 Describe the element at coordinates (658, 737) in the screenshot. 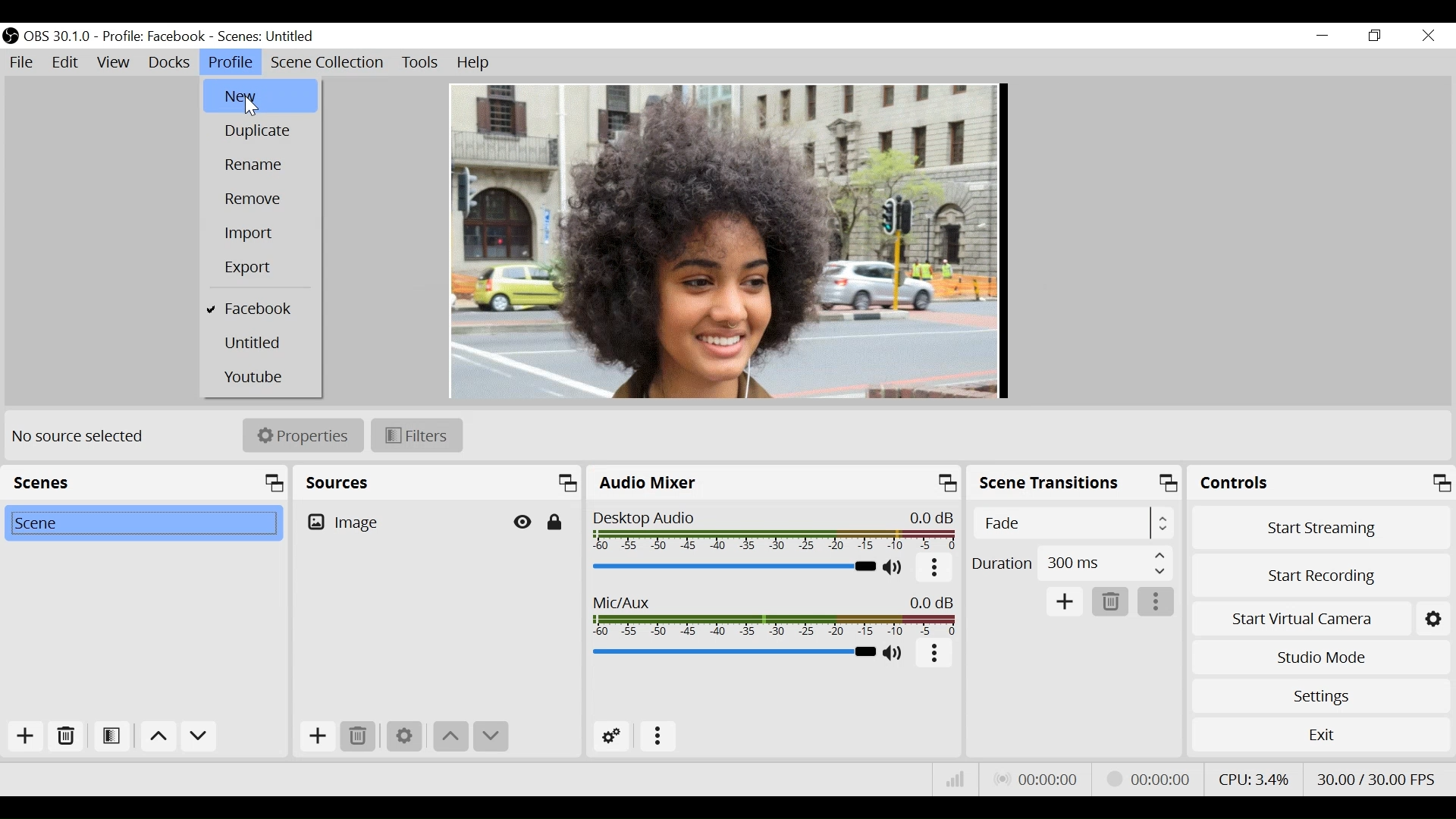

I see `More Options` at that location.